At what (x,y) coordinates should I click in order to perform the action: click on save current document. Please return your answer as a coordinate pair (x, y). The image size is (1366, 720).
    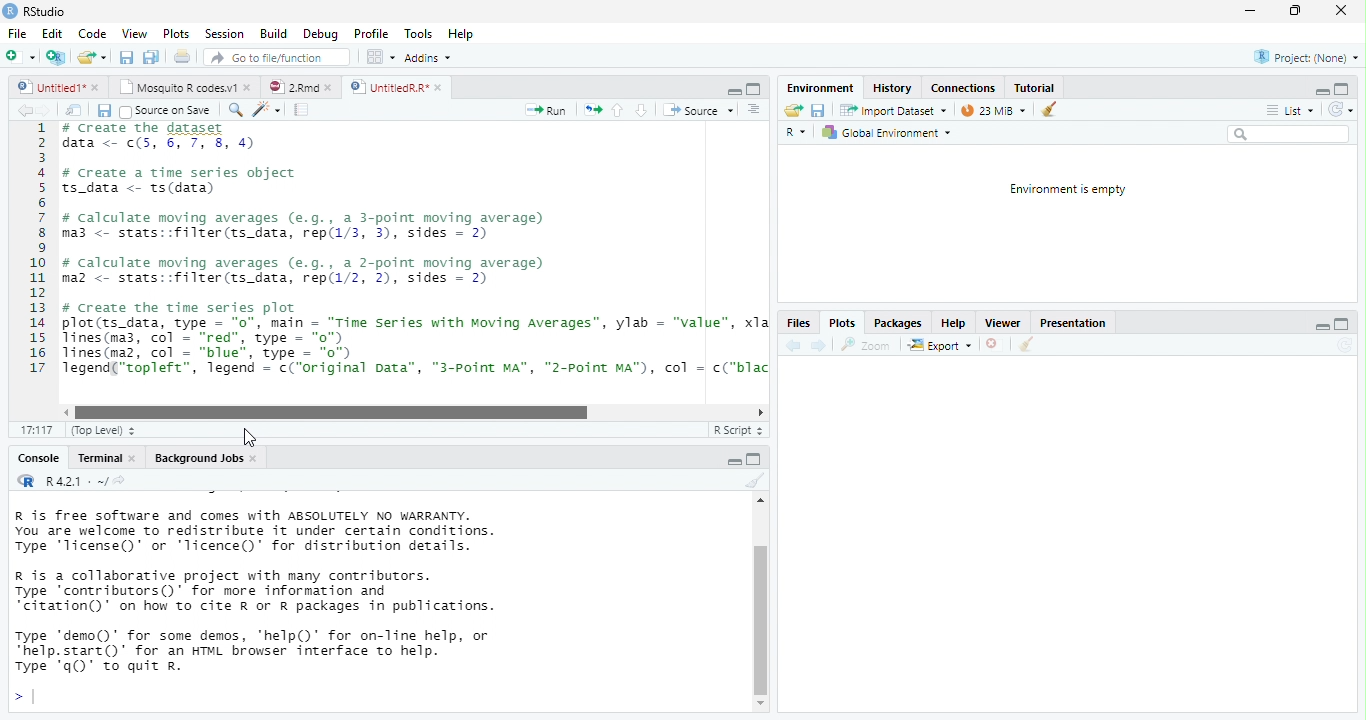
    Looking at the image, I should click on (819, 111).